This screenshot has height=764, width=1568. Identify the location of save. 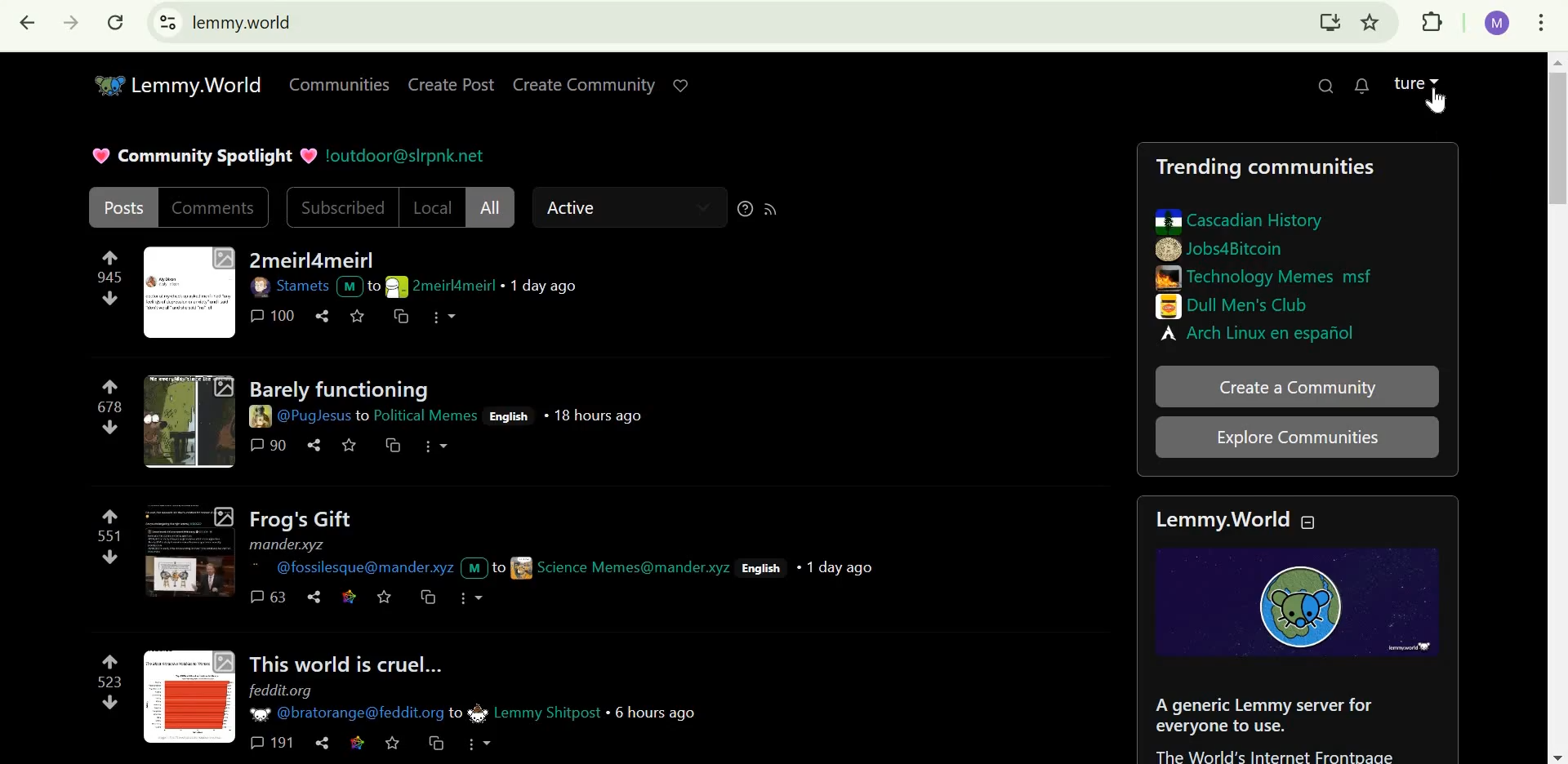
(385, 596).